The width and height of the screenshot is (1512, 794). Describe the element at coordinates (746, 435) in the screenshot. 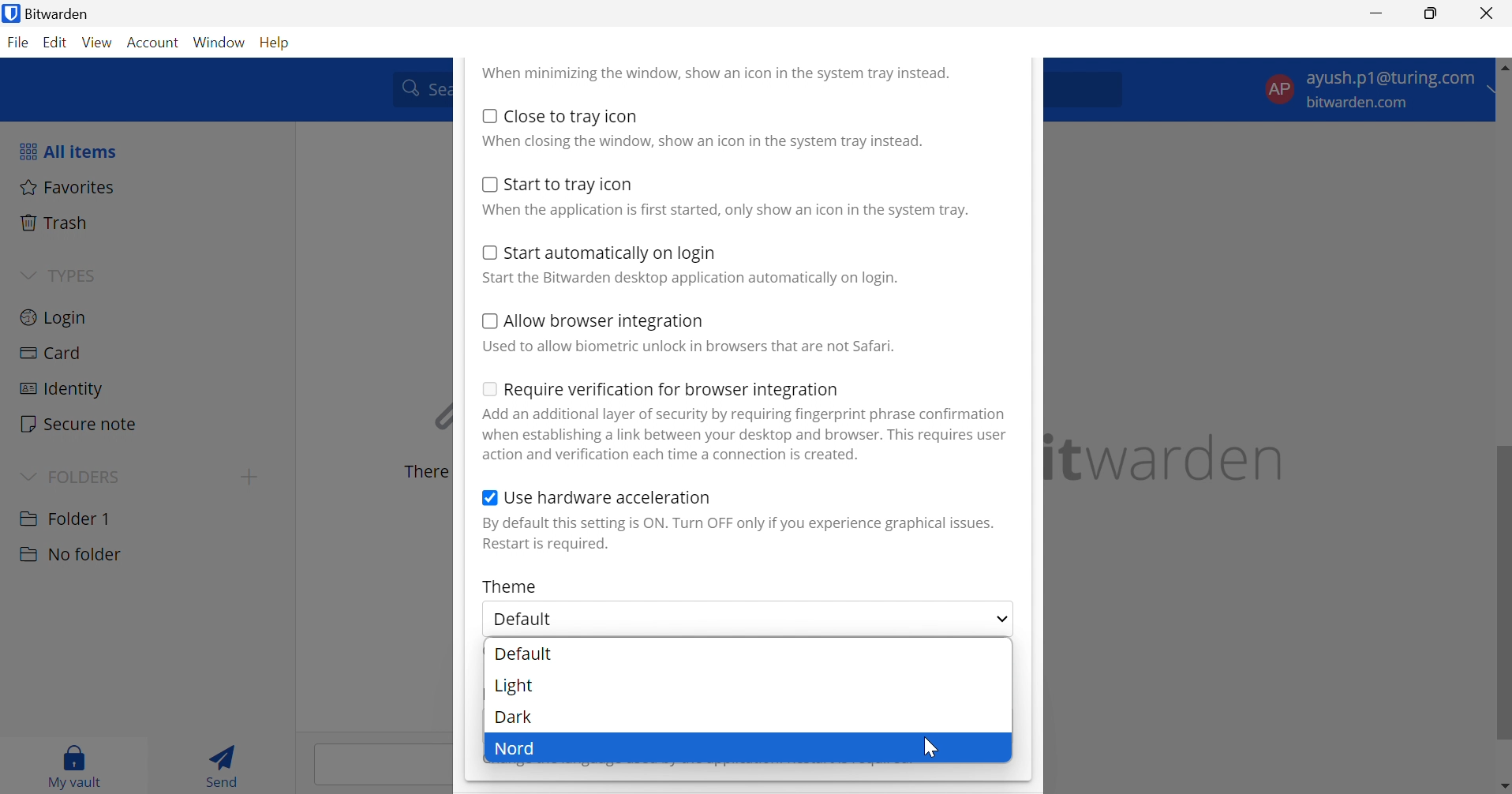

I see `when establishing a link between your desktop and browser. This requires user` at that location.